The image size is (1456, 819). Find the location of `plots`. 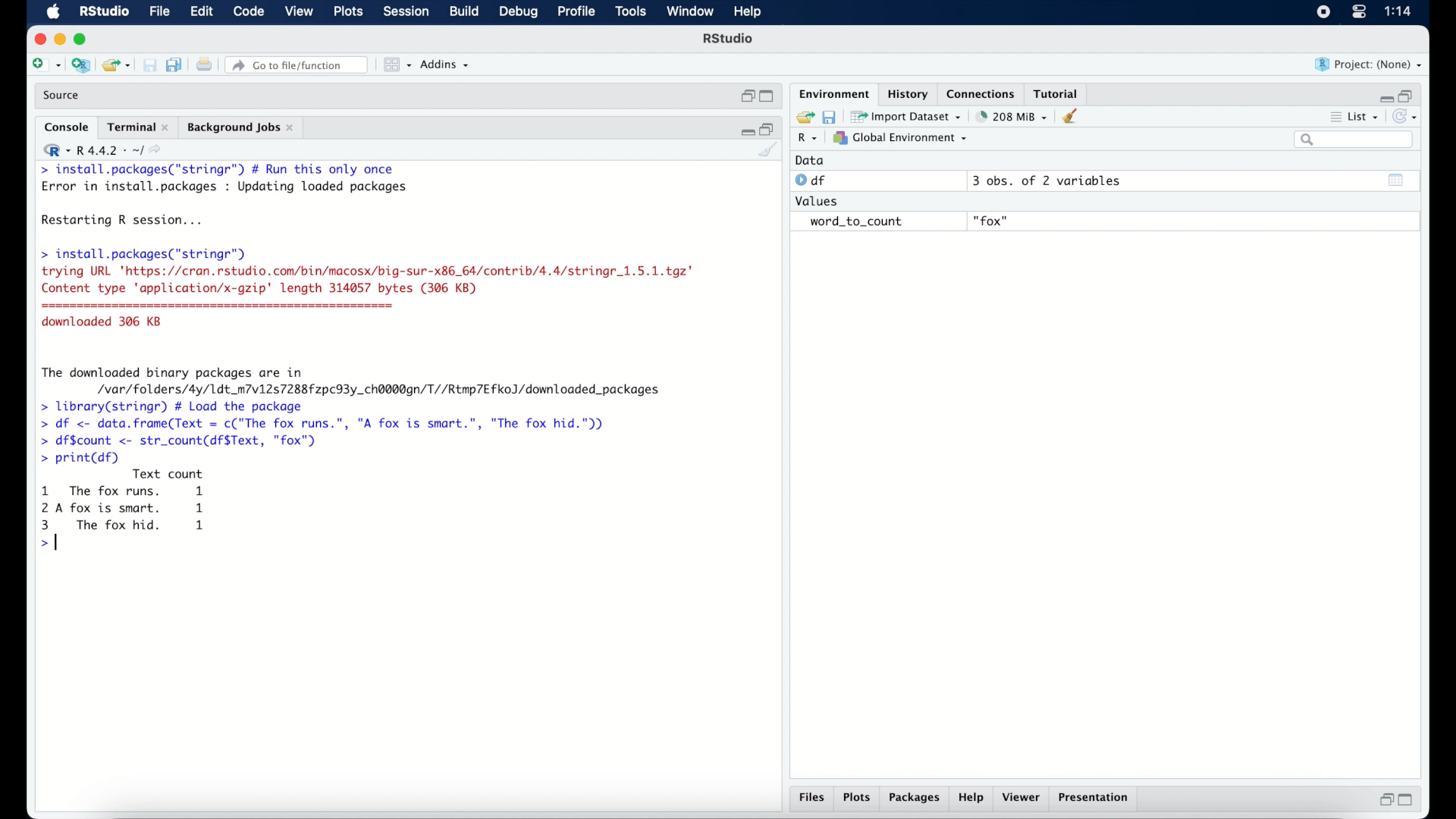

plots is located at coordinates (350, 12).